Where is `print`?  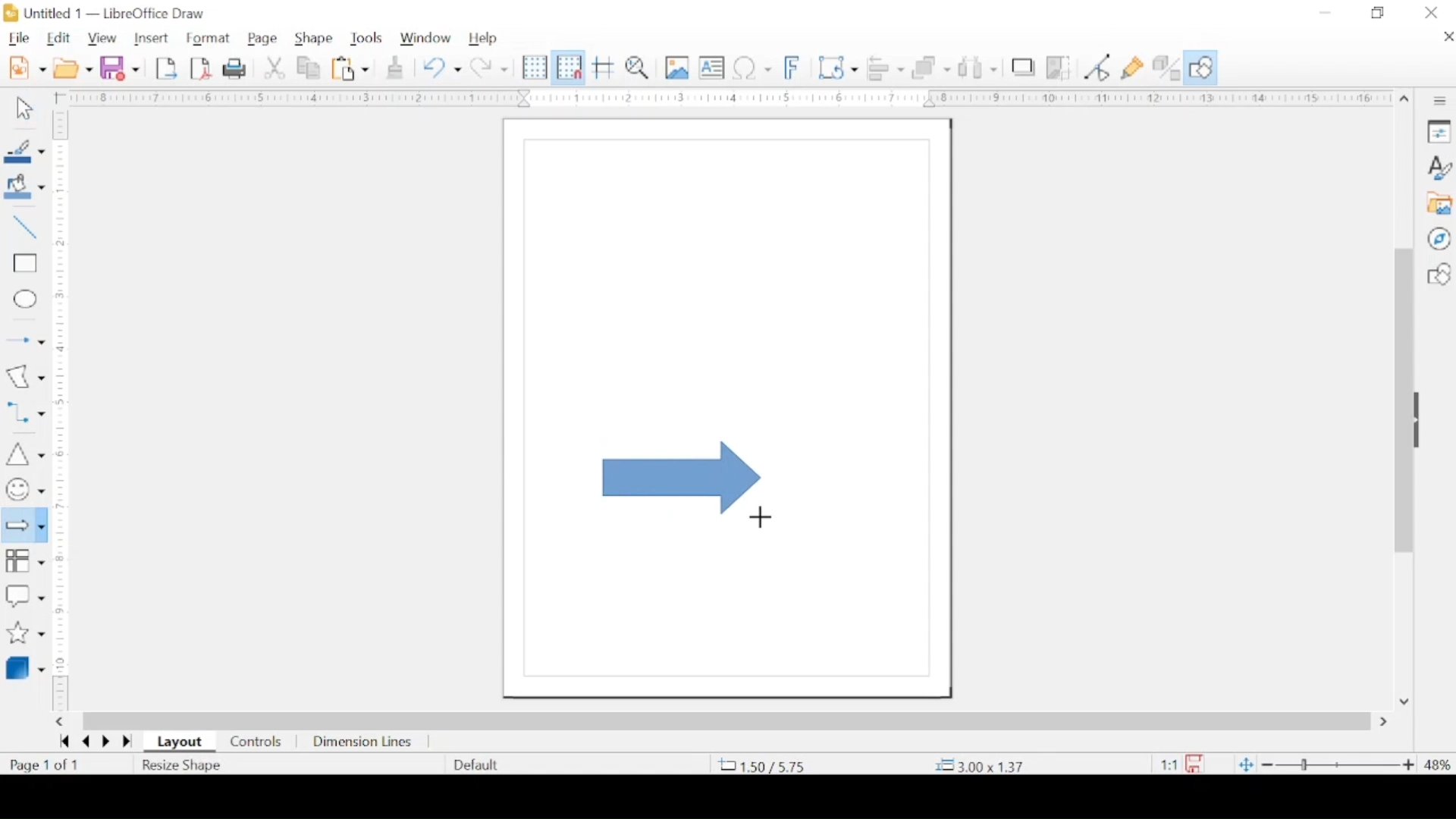
print is located at coordinates (237, 68).